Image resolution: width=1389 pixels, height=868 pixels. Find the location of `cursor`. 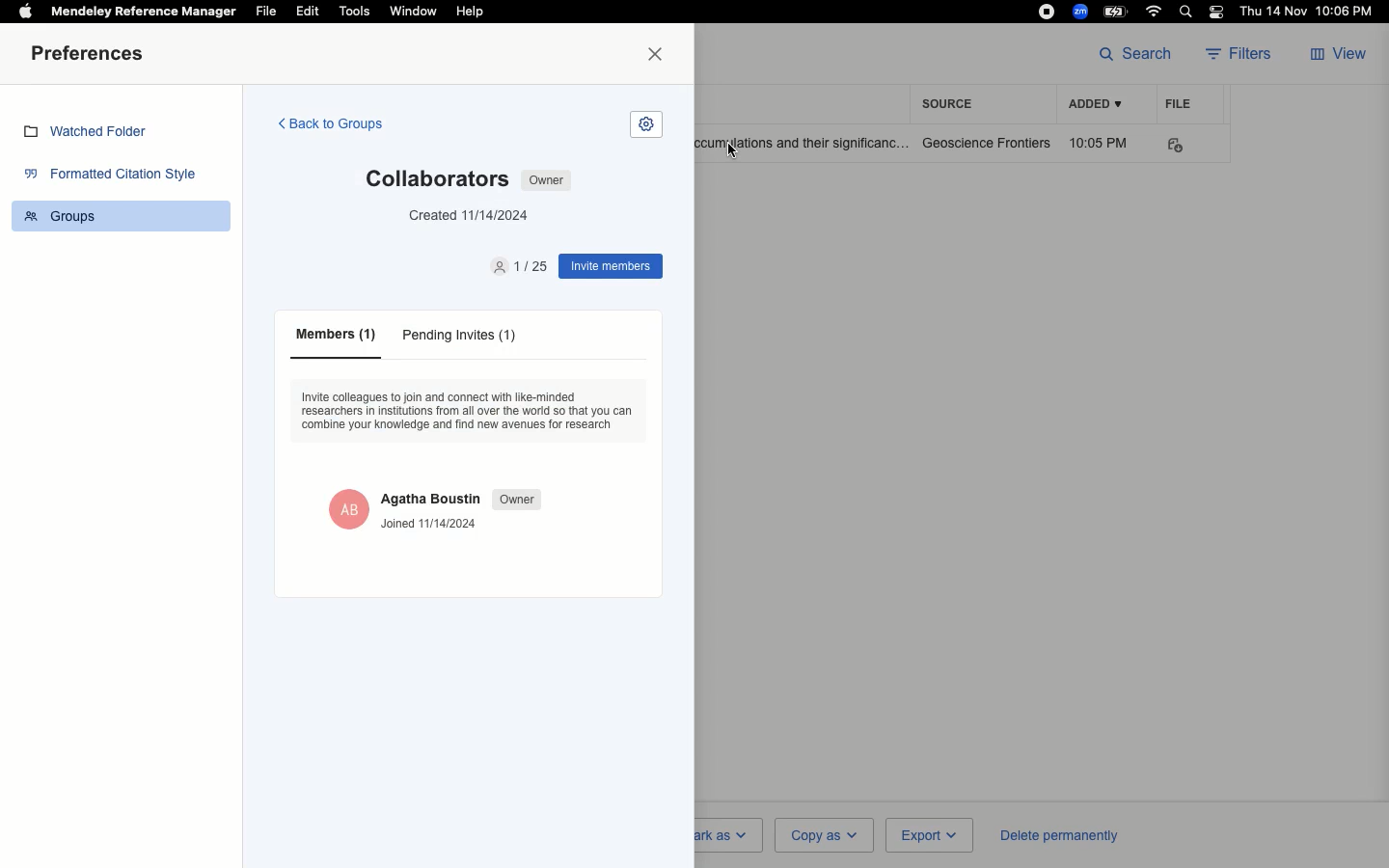

cursor is located at coordinates (730, 149).